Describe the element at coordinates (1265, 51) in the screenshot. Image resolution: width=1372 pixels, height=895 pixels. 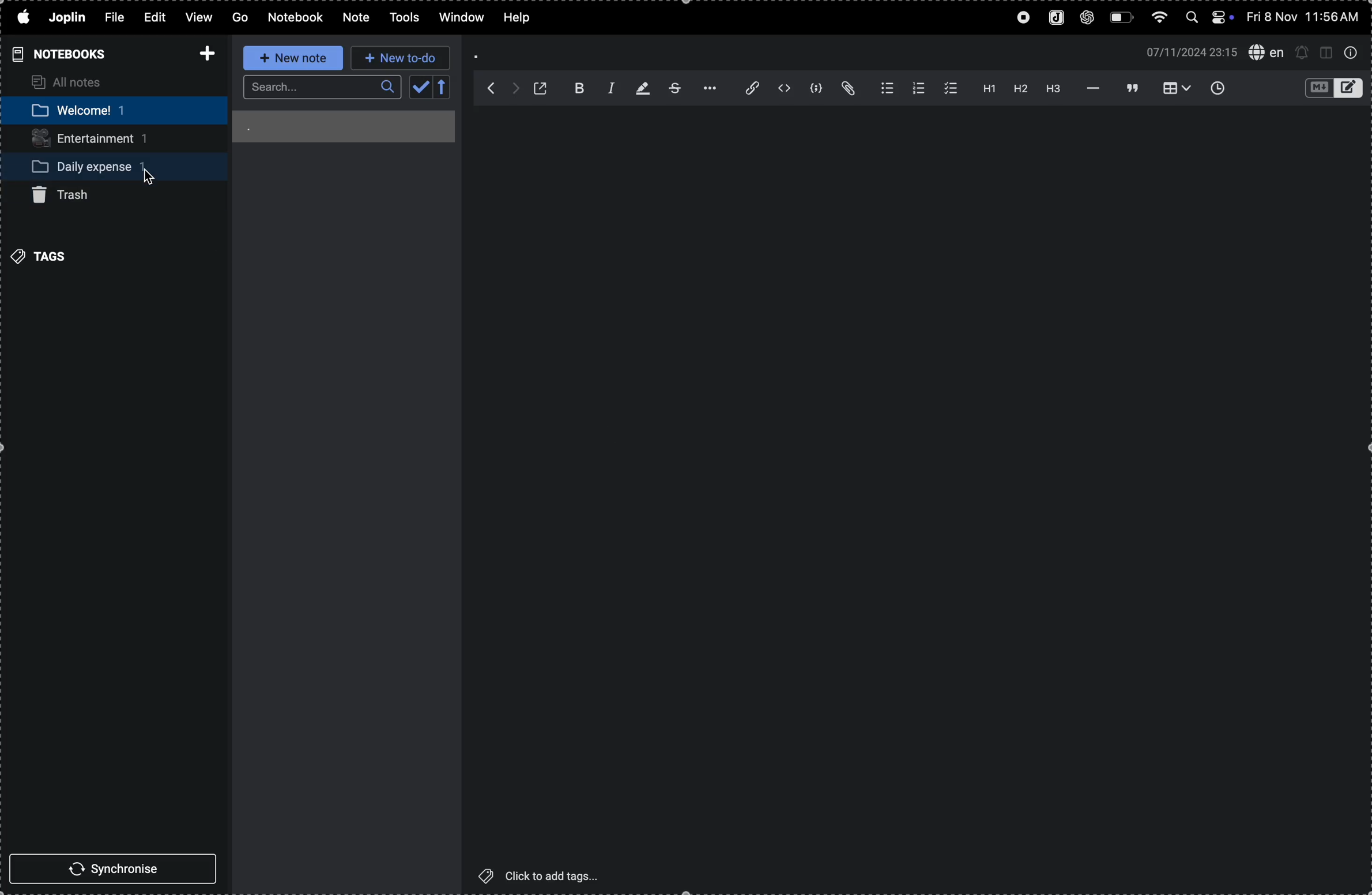
I see `spell check` at that location.